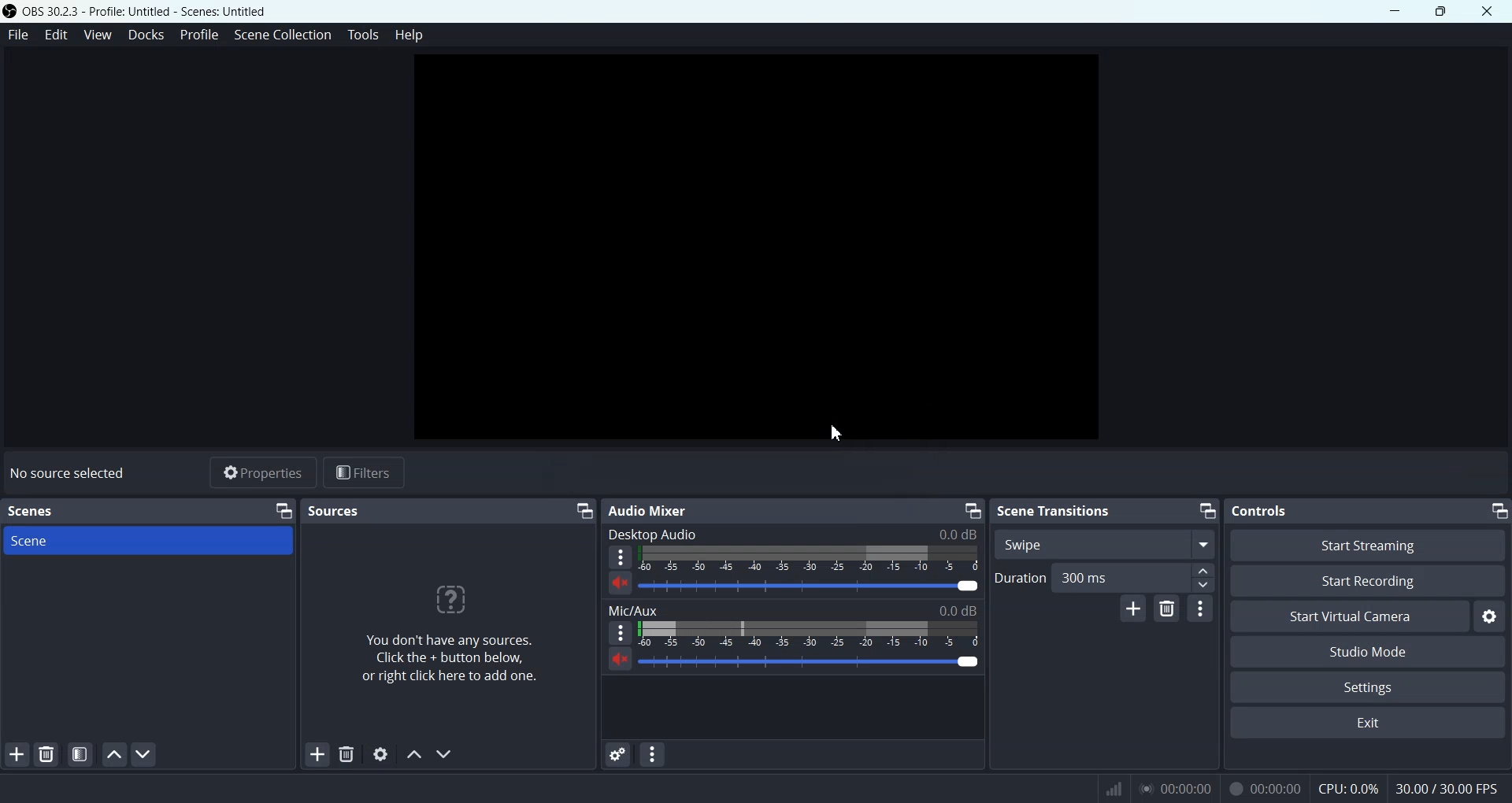  Describe the element at coordinates (1368, 686) in the screenshot. I see `Settings` at that location.